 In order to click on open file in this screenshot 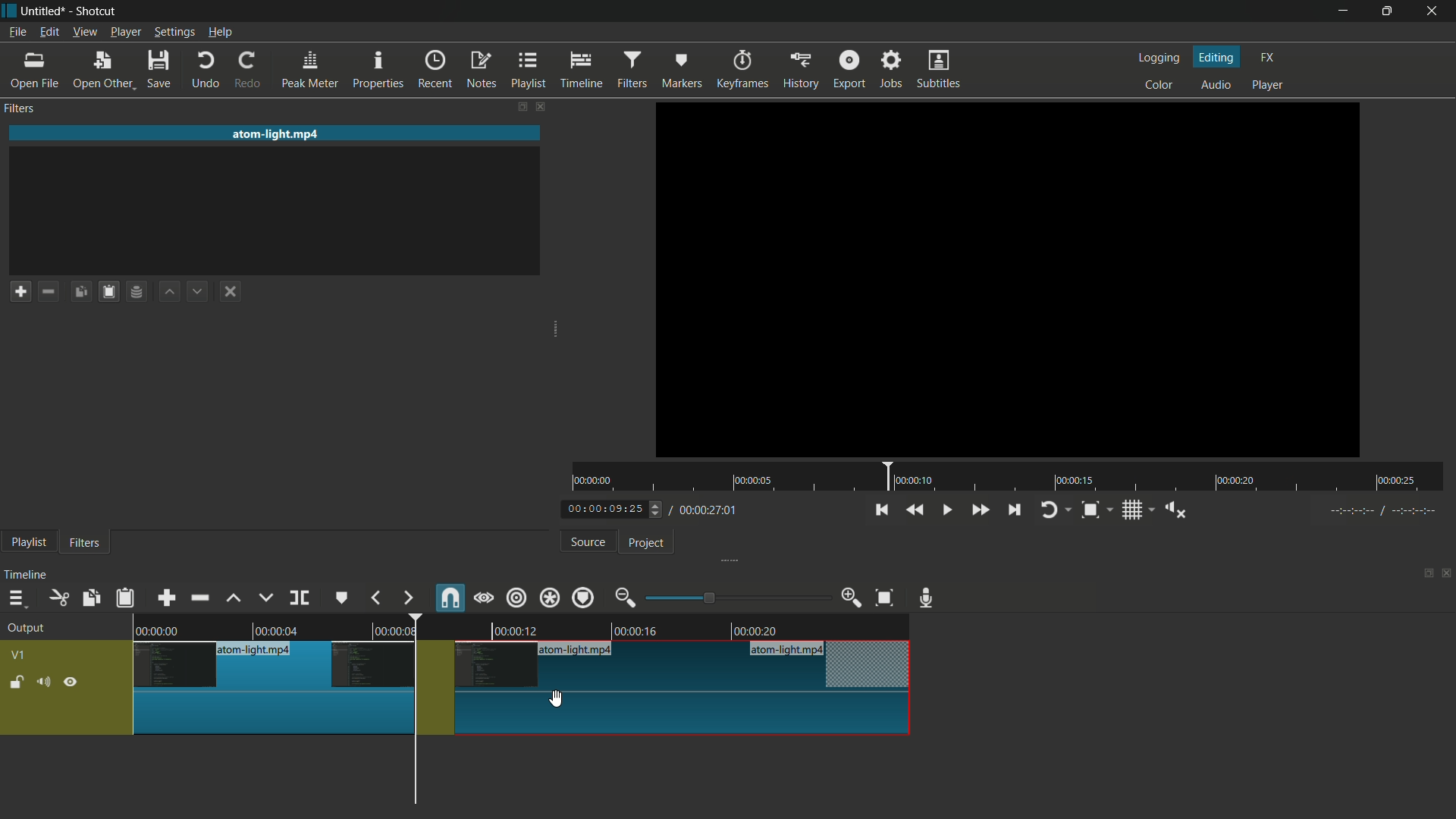, I will do `click(34, 71)`.